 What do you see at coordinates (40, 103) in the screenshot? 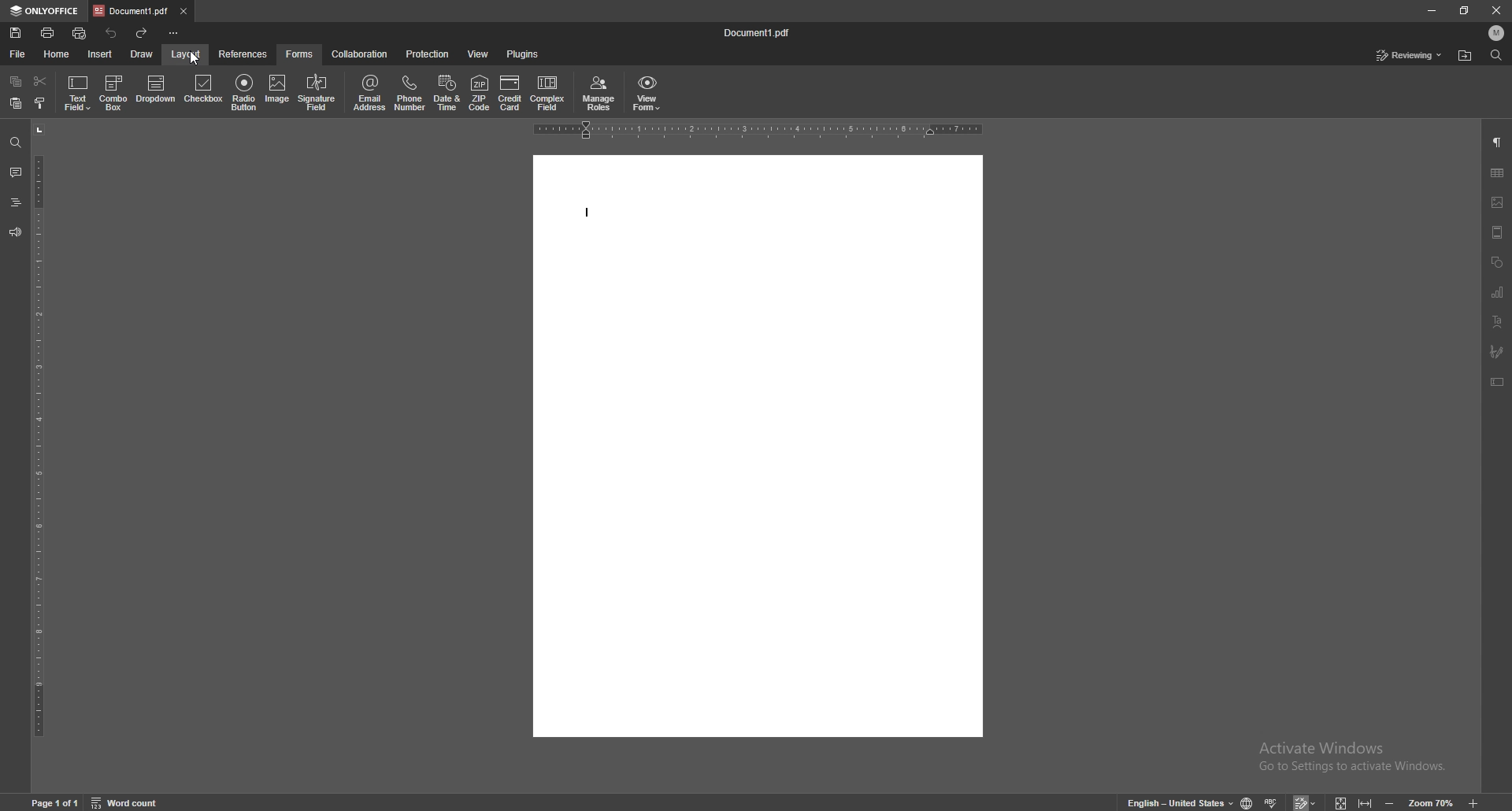
I see `copy style` at bounding box center [40, 103].